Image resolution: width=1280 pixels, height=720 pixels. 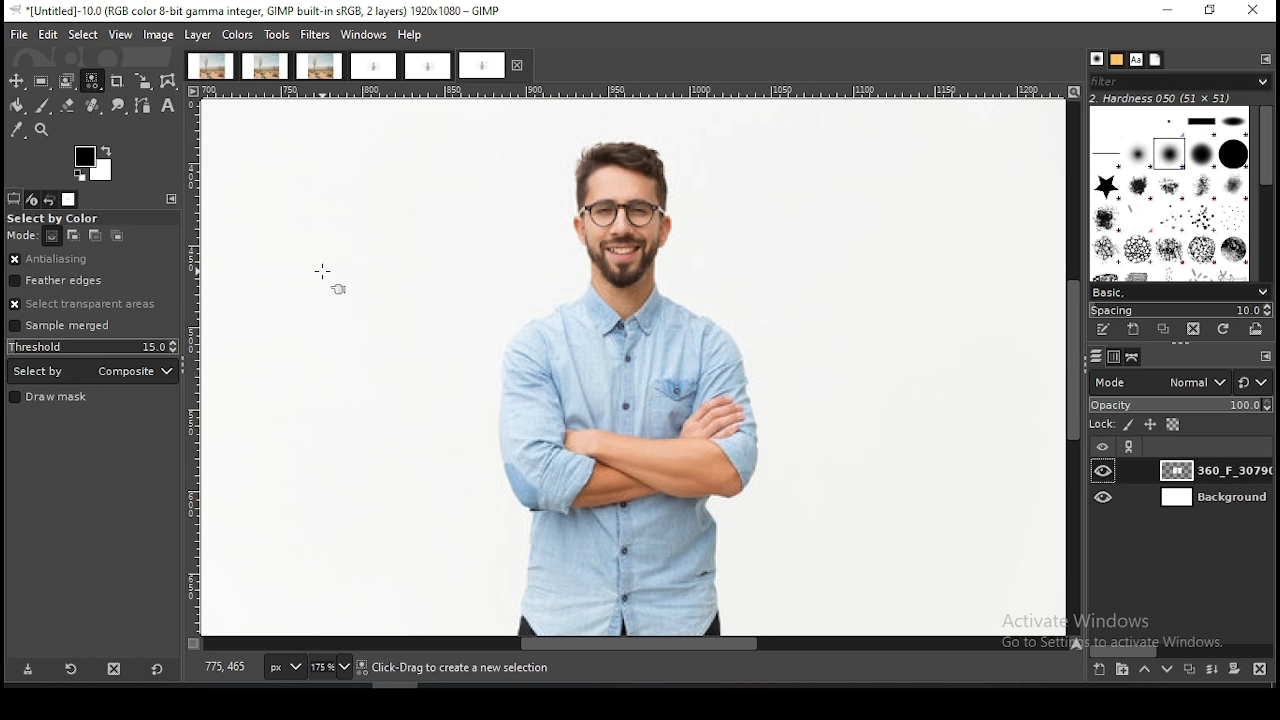 What do you see at coordinates (52, 237) in the screenshot?
I see `replace the current selection` at bounding box center [52, 237].